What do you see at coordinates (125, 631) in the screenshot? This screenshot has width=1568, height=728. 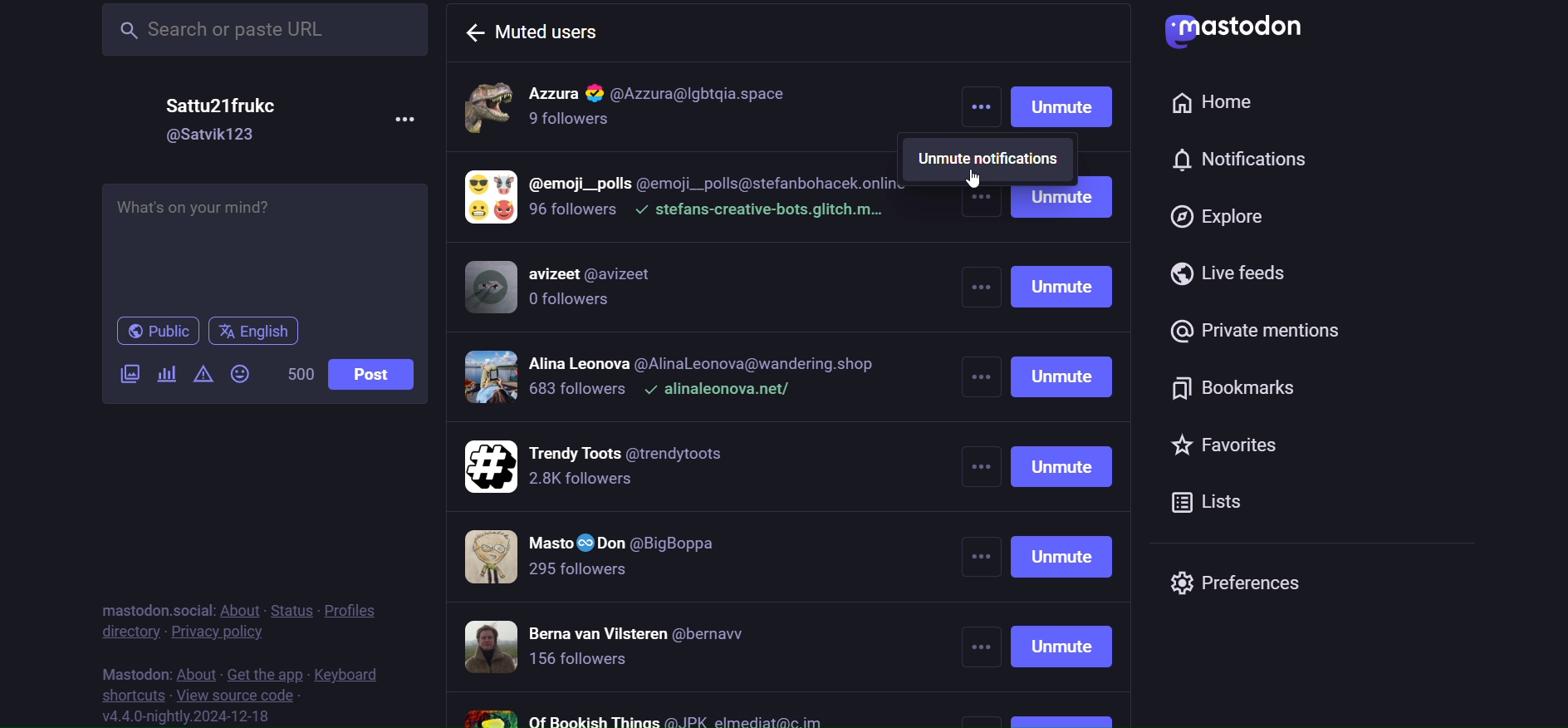 I see `directory` at bounding box center [125, 631].